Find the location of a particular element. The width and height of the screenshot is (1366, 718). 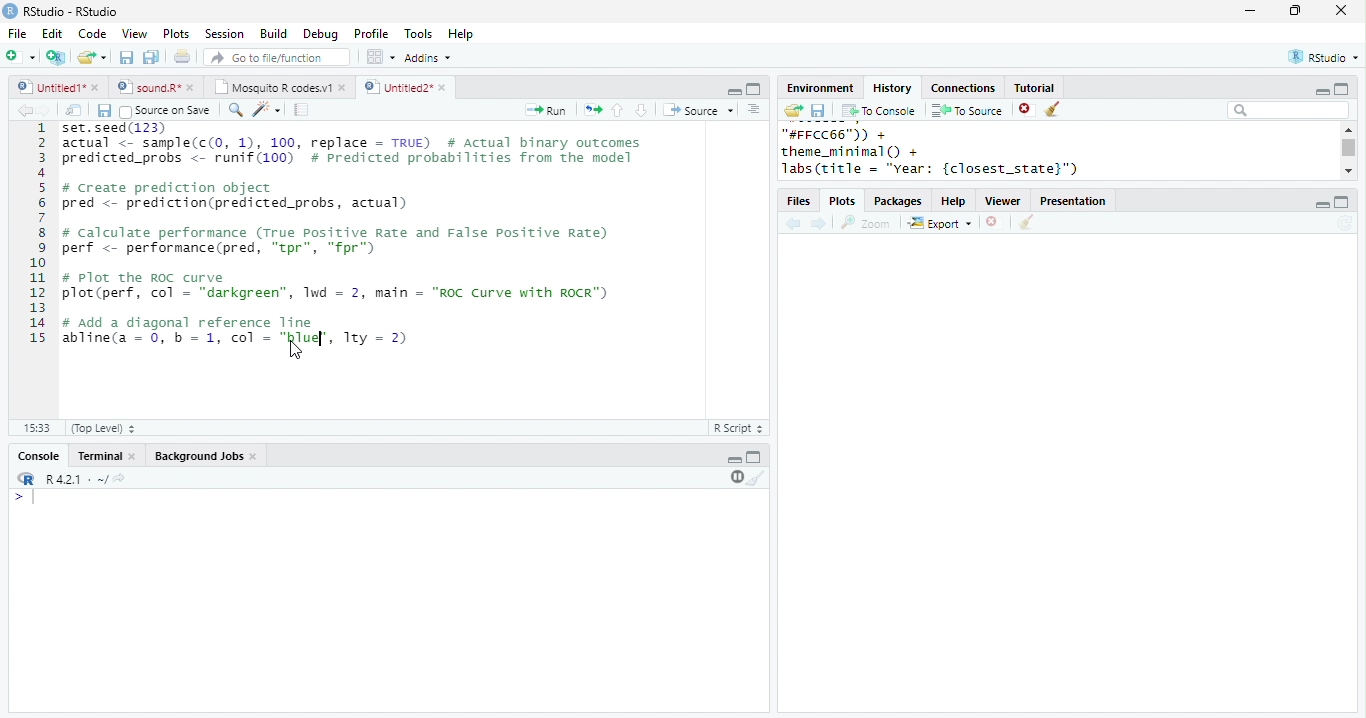

options is located at coordinates (754, 109).